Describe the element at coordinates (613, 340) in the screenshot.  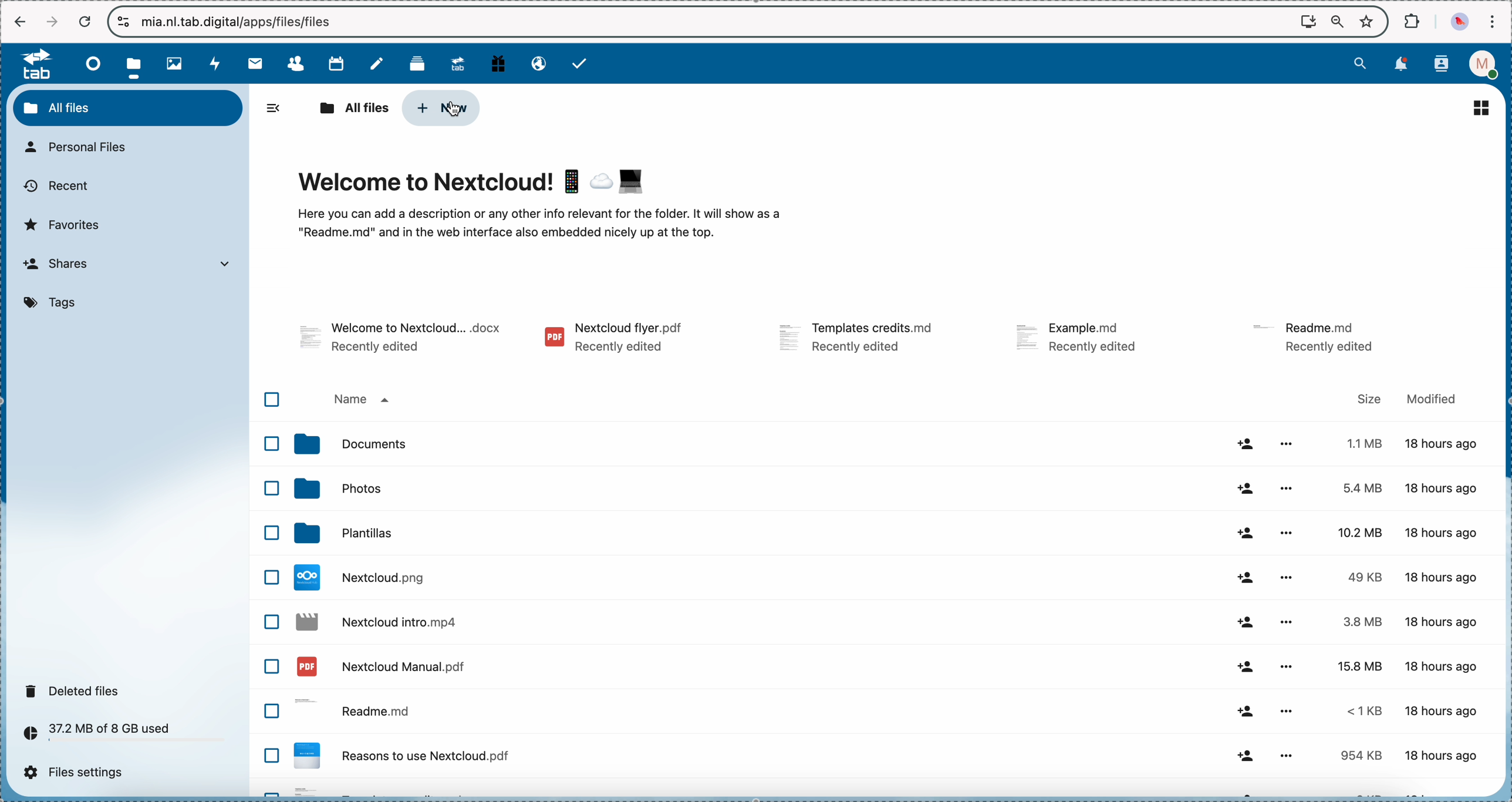
I see `file` at that location.